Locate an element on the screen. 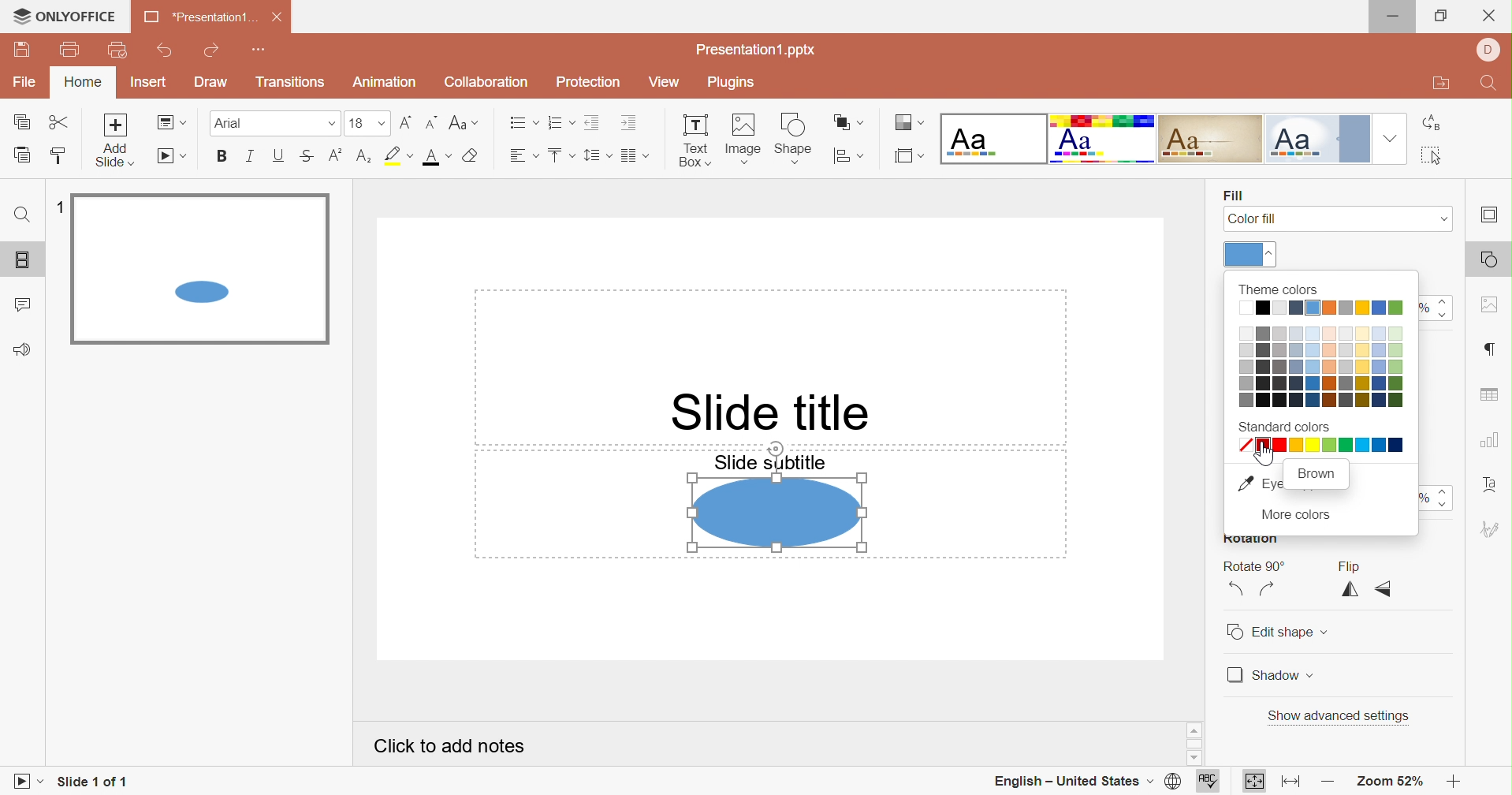 The image size is (1512, 795). *Presentation1 ... is located at coordinates (199, 17).